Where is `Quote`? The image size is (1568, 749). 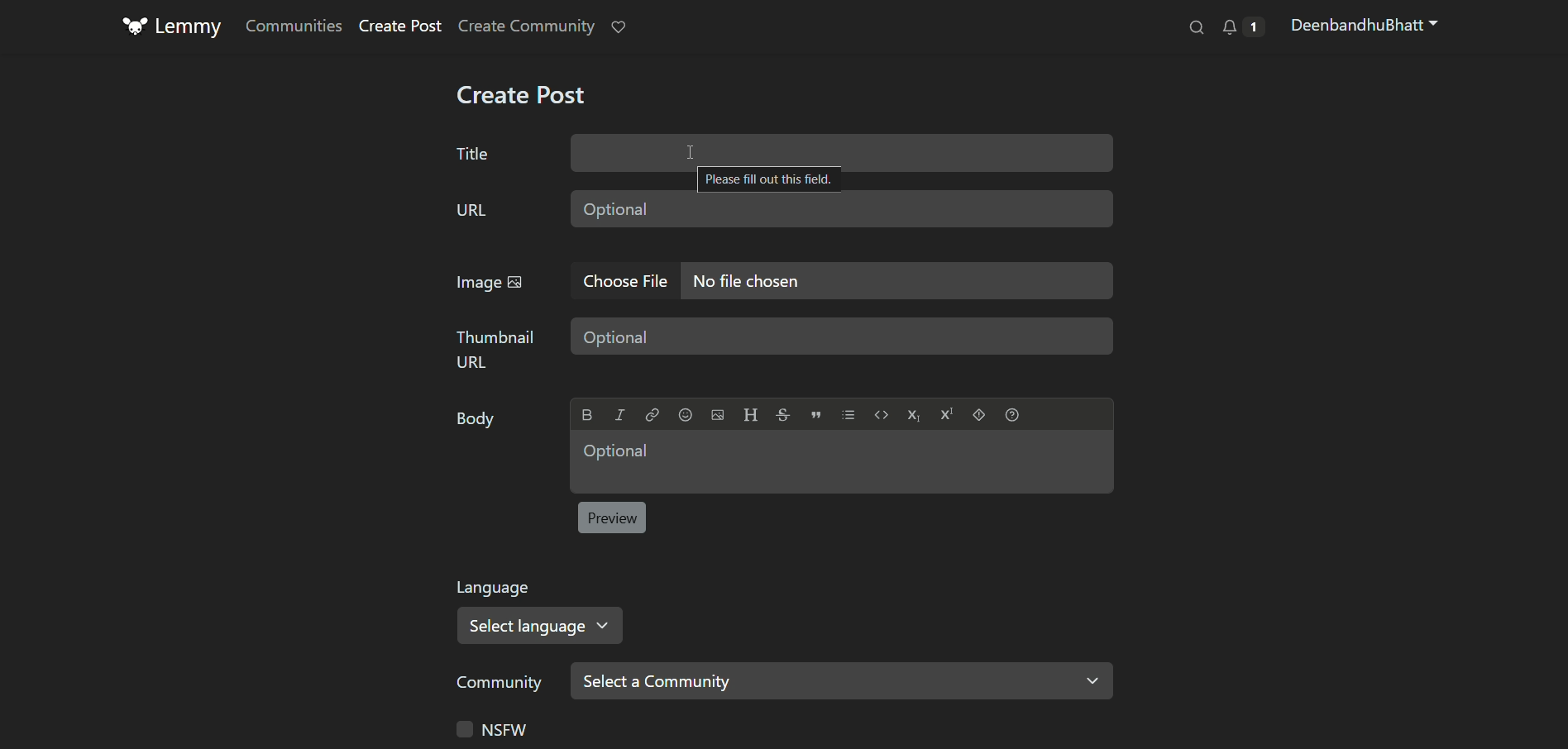 Quote is located at coordinates (815, 415).